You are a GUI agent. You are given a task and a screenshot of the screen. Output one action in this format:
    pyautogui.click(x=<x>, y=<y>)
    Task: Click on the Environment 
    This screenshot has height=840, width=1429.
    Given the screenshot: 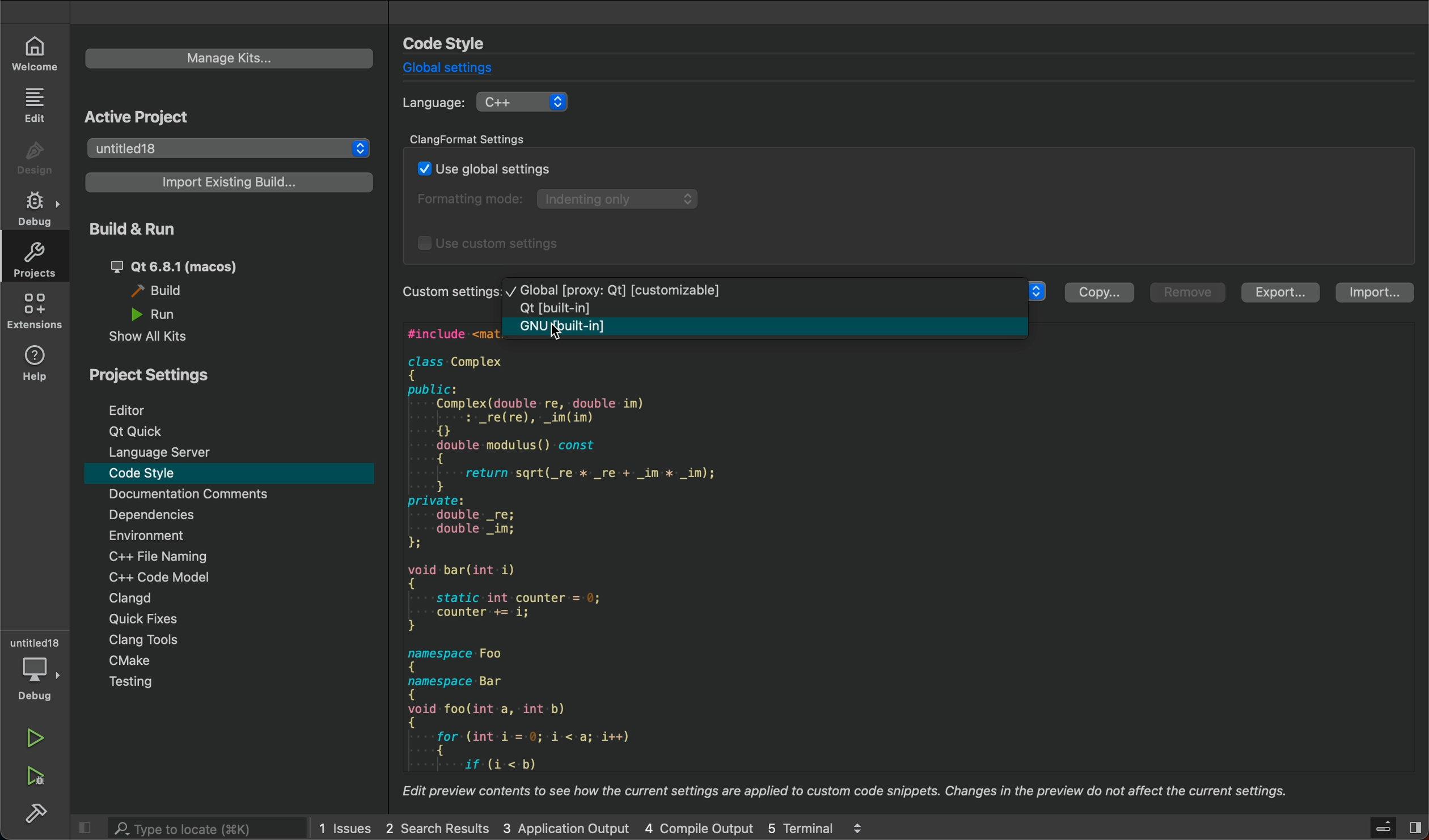 What is the action you would take?
    pyautogui.click(x=180, y=536)
    